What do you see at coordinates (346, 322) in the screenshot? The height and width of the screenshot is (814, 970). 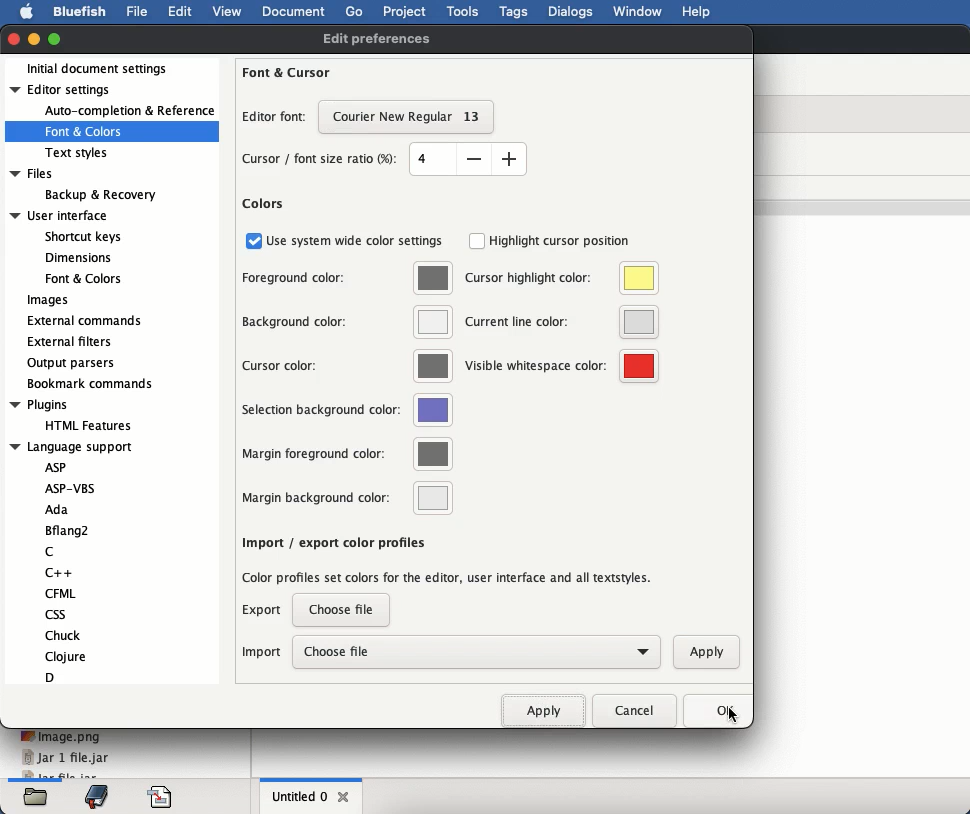 I see `background color` at bounding box center [346, 322].